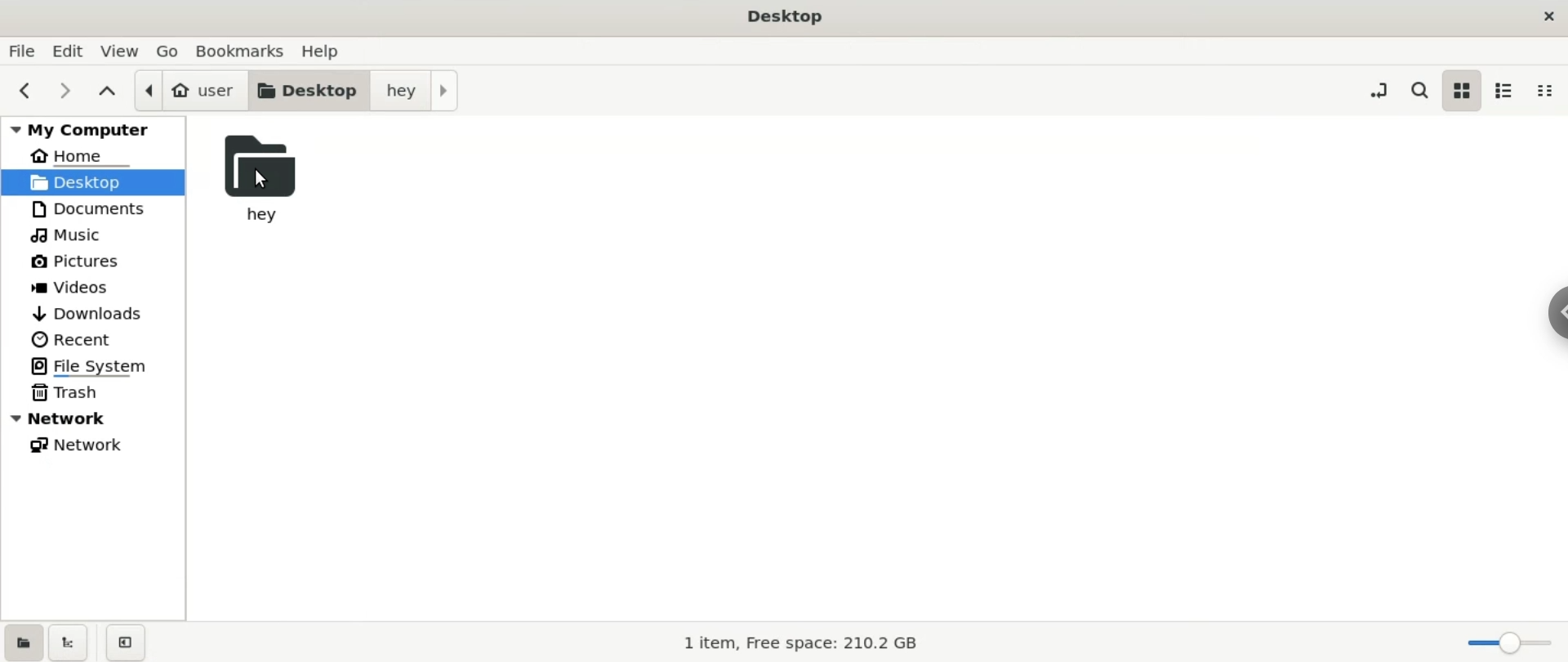  What do you see at coordinates (97, 154) in the screenshot?
I see `home` at bounding box center [97, 154].